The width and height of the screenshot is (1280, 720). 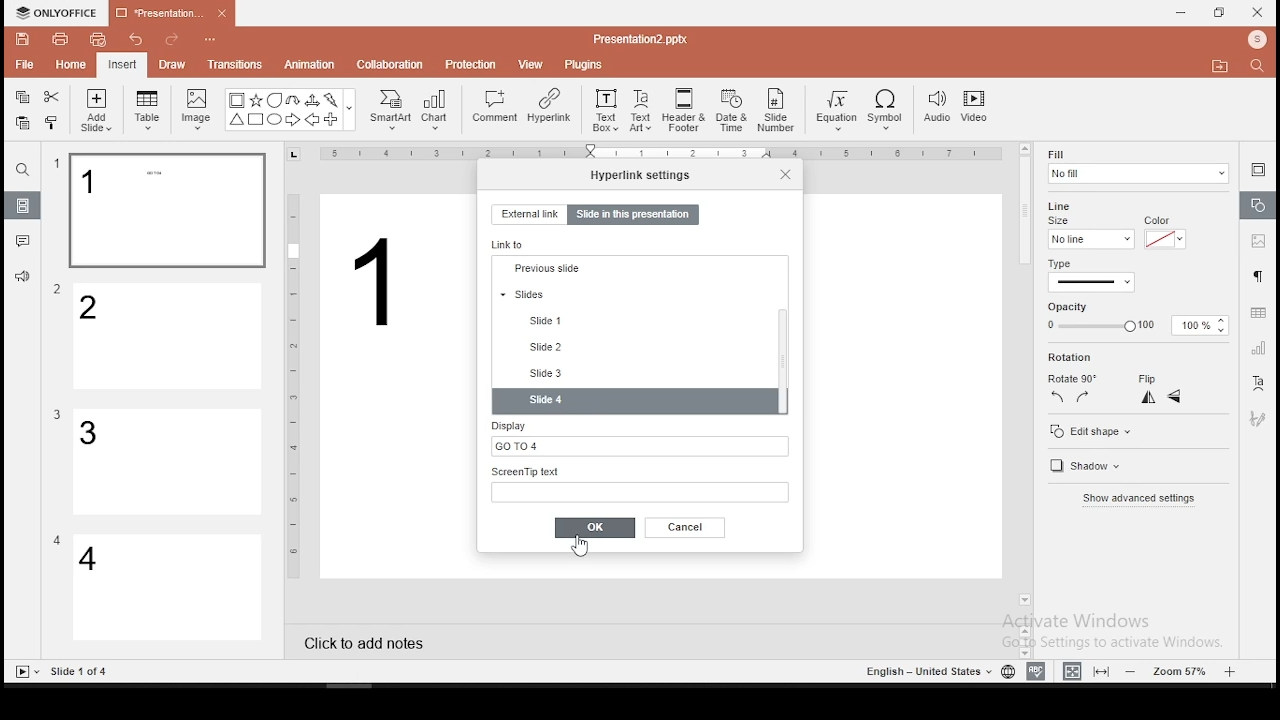 I want to click on shadow, so click(x=1082, y=468).